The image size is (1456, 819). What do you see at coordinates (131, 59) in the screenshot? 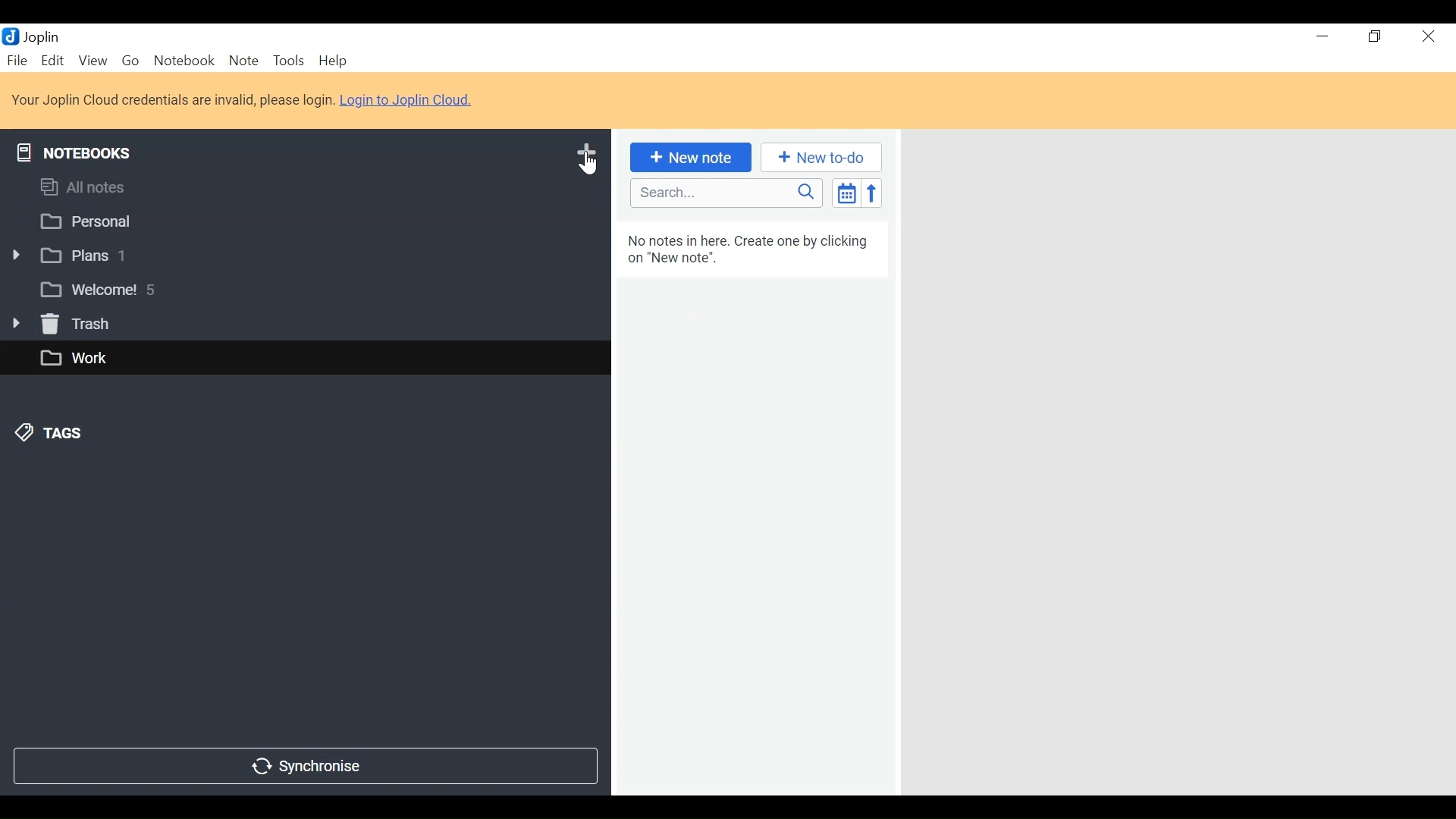
I see `Go` at bounding box center [131, 59].